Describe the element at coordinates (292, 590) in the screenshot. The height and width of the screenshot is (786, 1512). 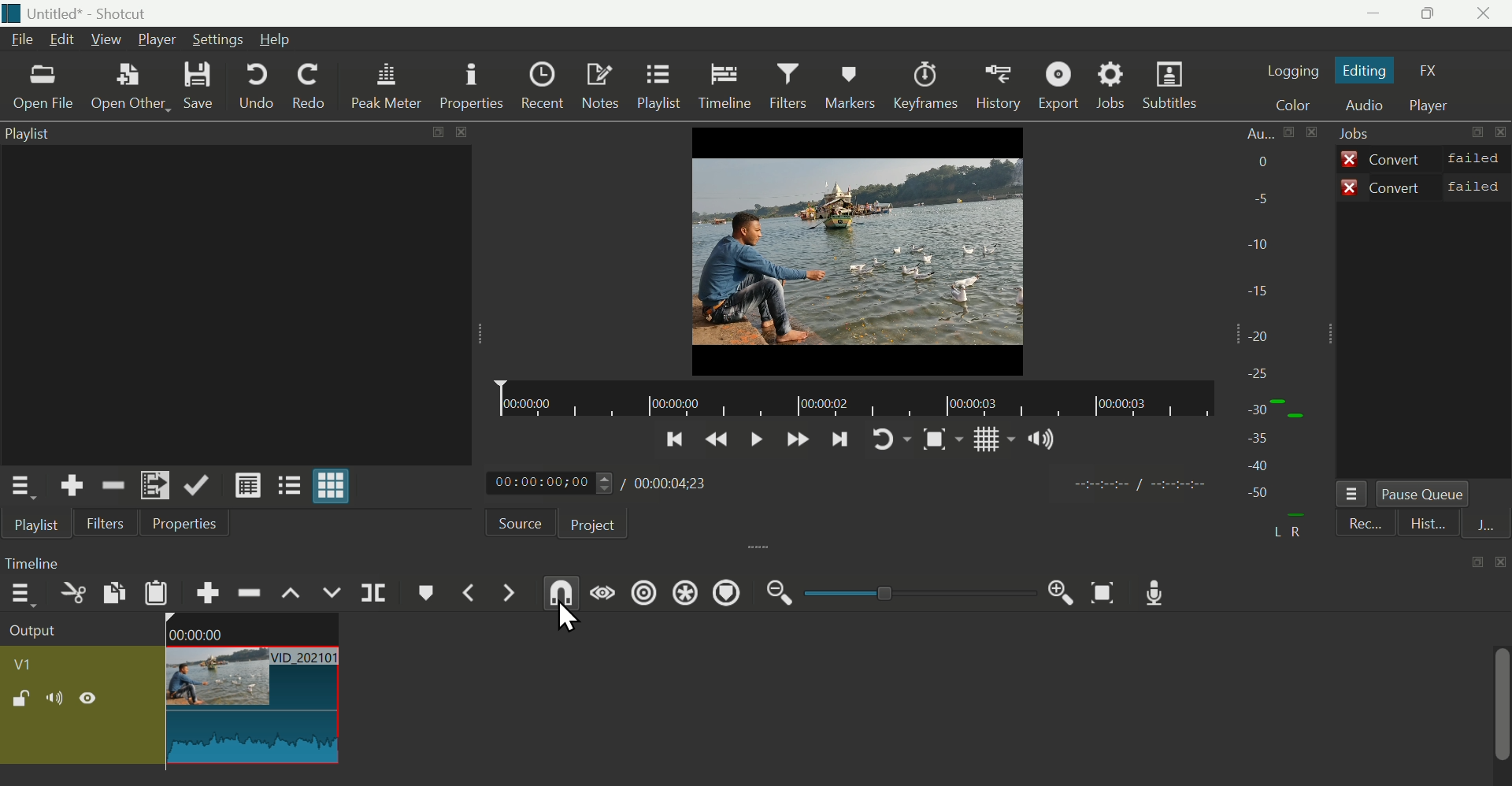
I see `Lift` at that location.